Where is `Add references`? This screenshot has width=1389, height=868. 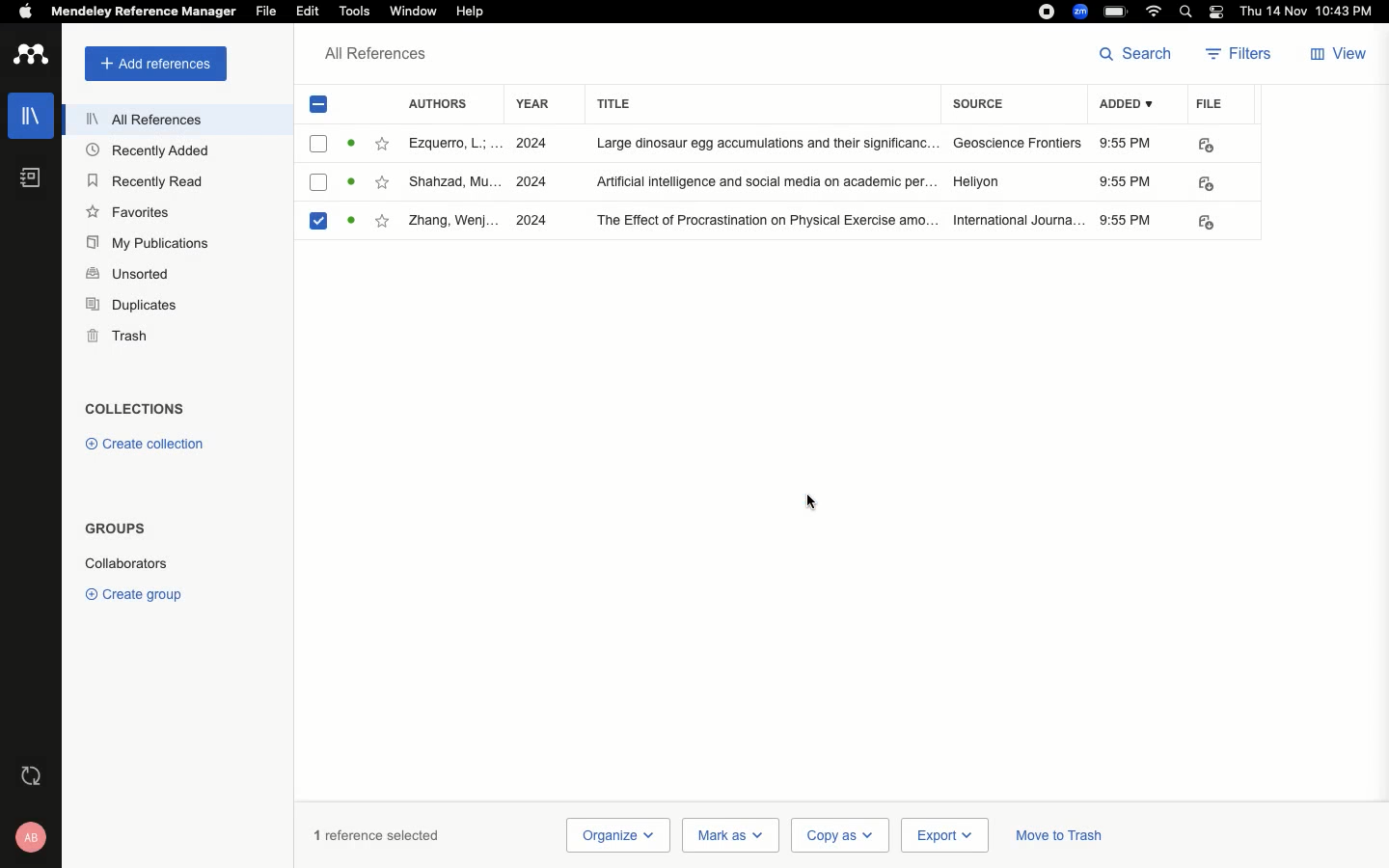
Add references is located at coordinates (155, 64).